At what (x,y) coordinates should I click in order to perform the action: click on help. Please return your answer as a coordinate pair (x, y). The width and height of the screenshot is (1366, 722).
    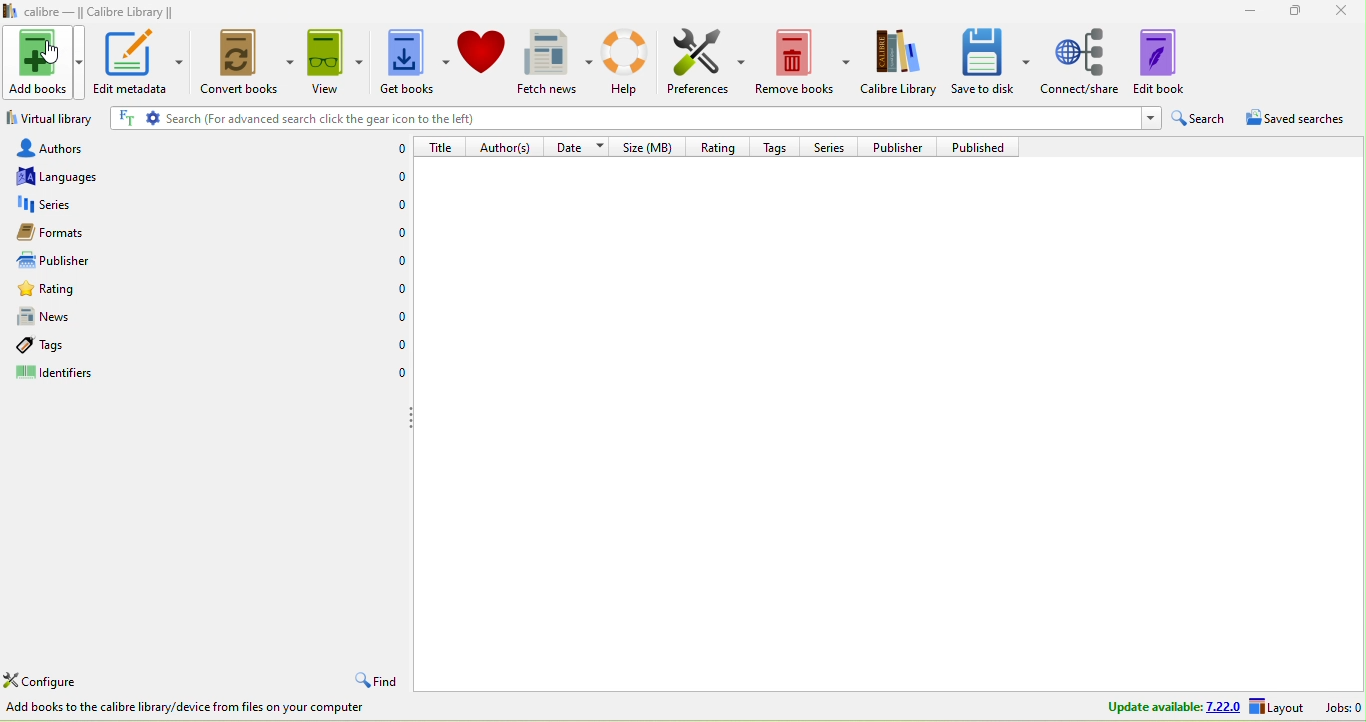
    Looking at the image, I should click on (626, 63).